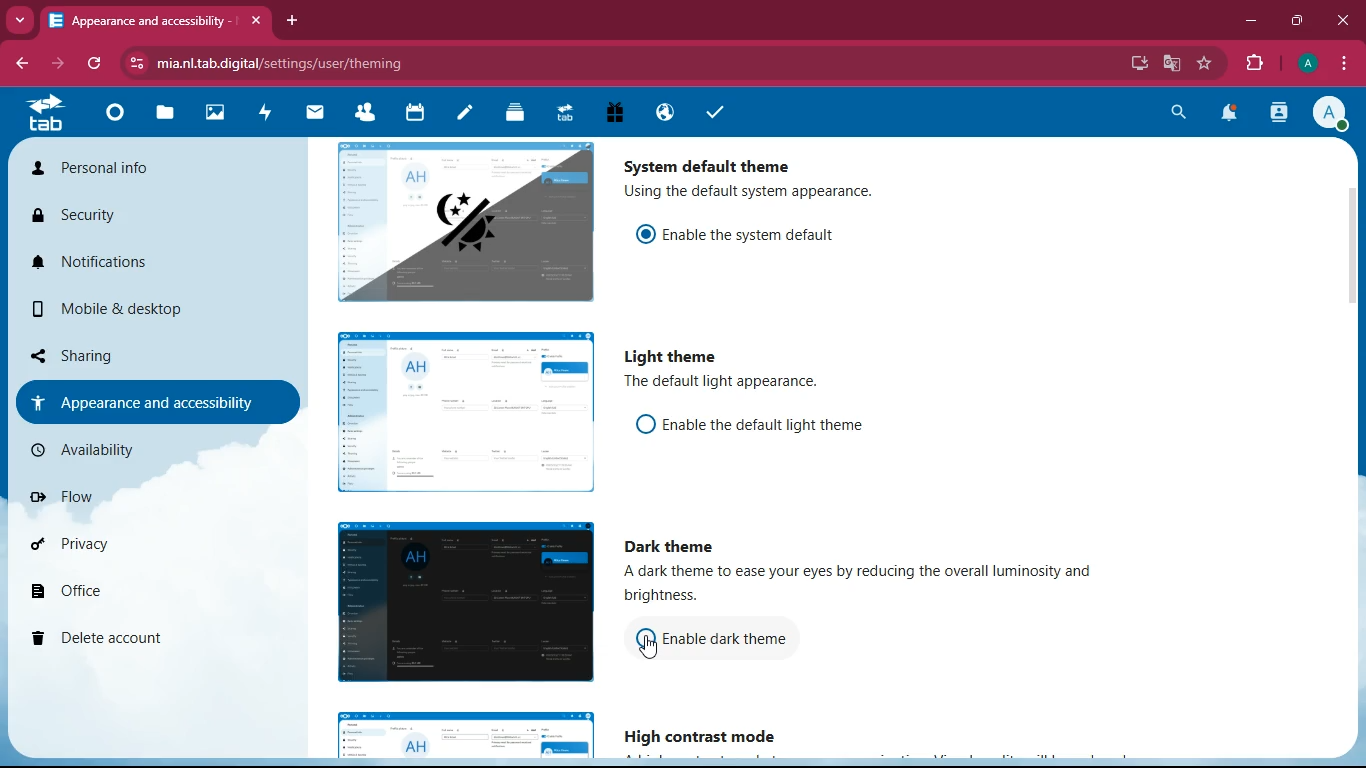  What do you see at coordinates (131, 450) in the screenshot?
I see `availiability` at bounding box center [131, 450].